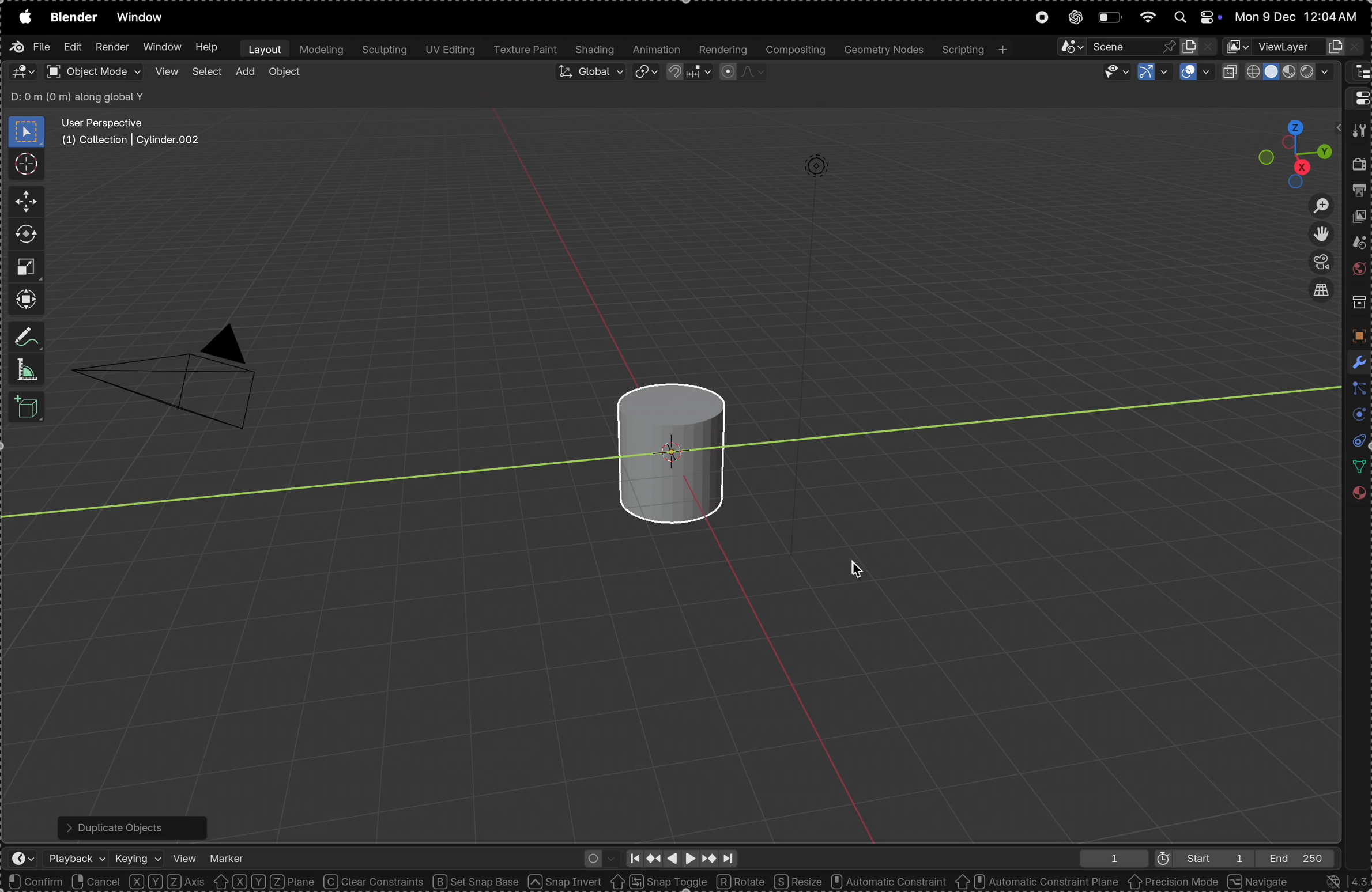  Describe the element at coordinates (1356, 361) in the screenshot. I see `modifiers` at that location.